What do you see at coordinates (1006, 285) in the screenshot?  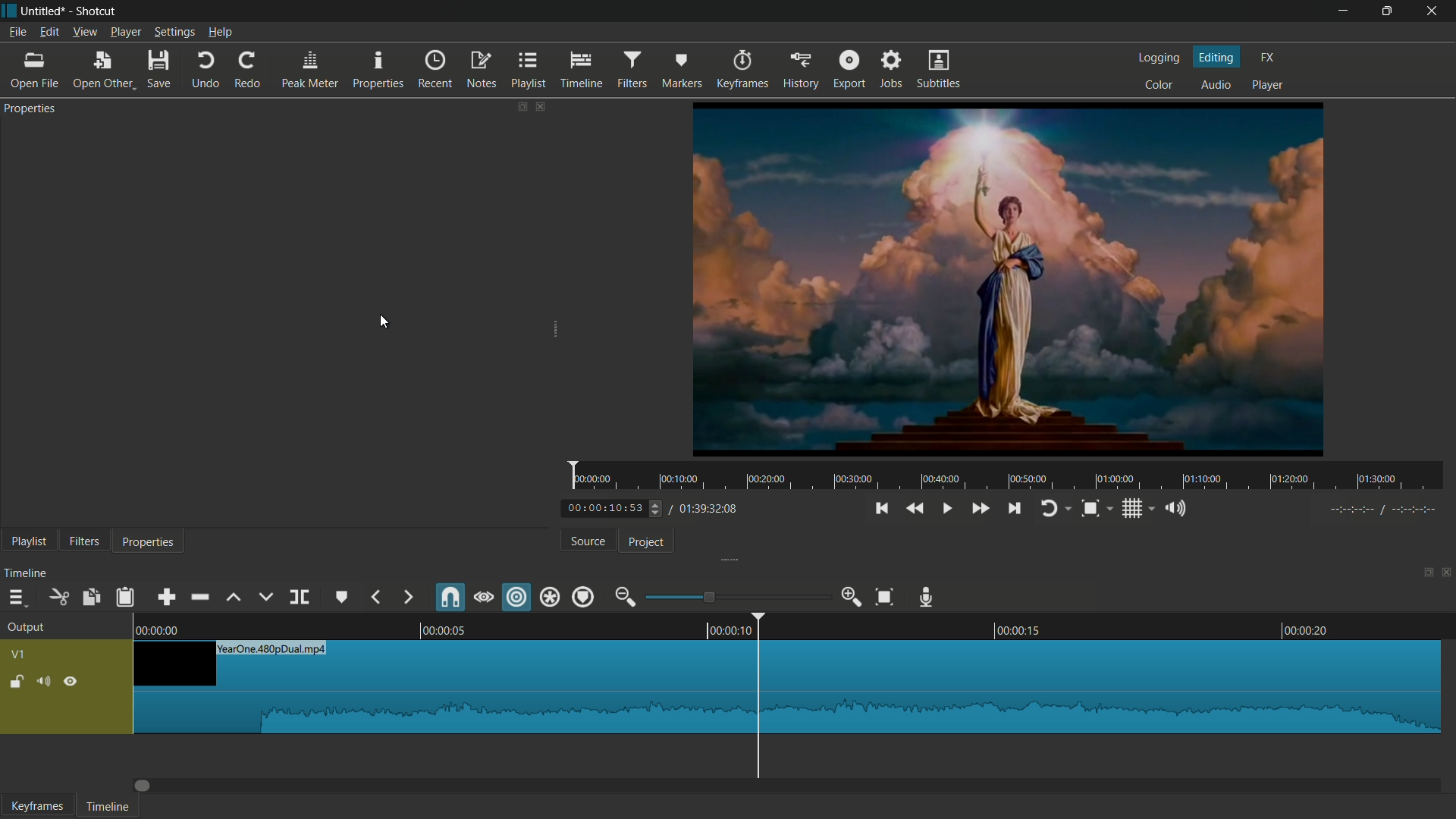 I see `preview video` at bounding box center [1006, 285].